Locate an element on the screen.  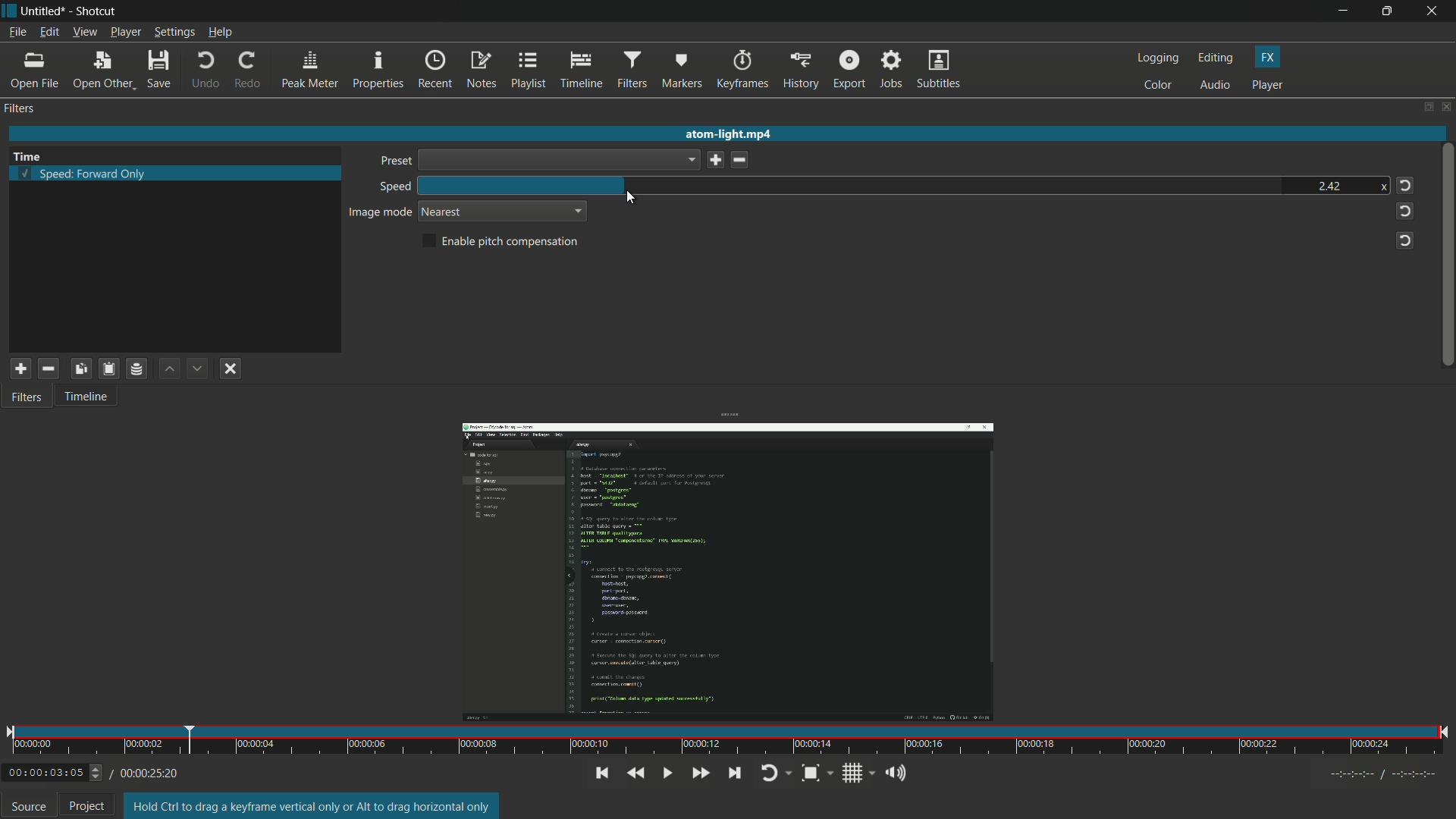
filters is located at coordinates (632, 71).